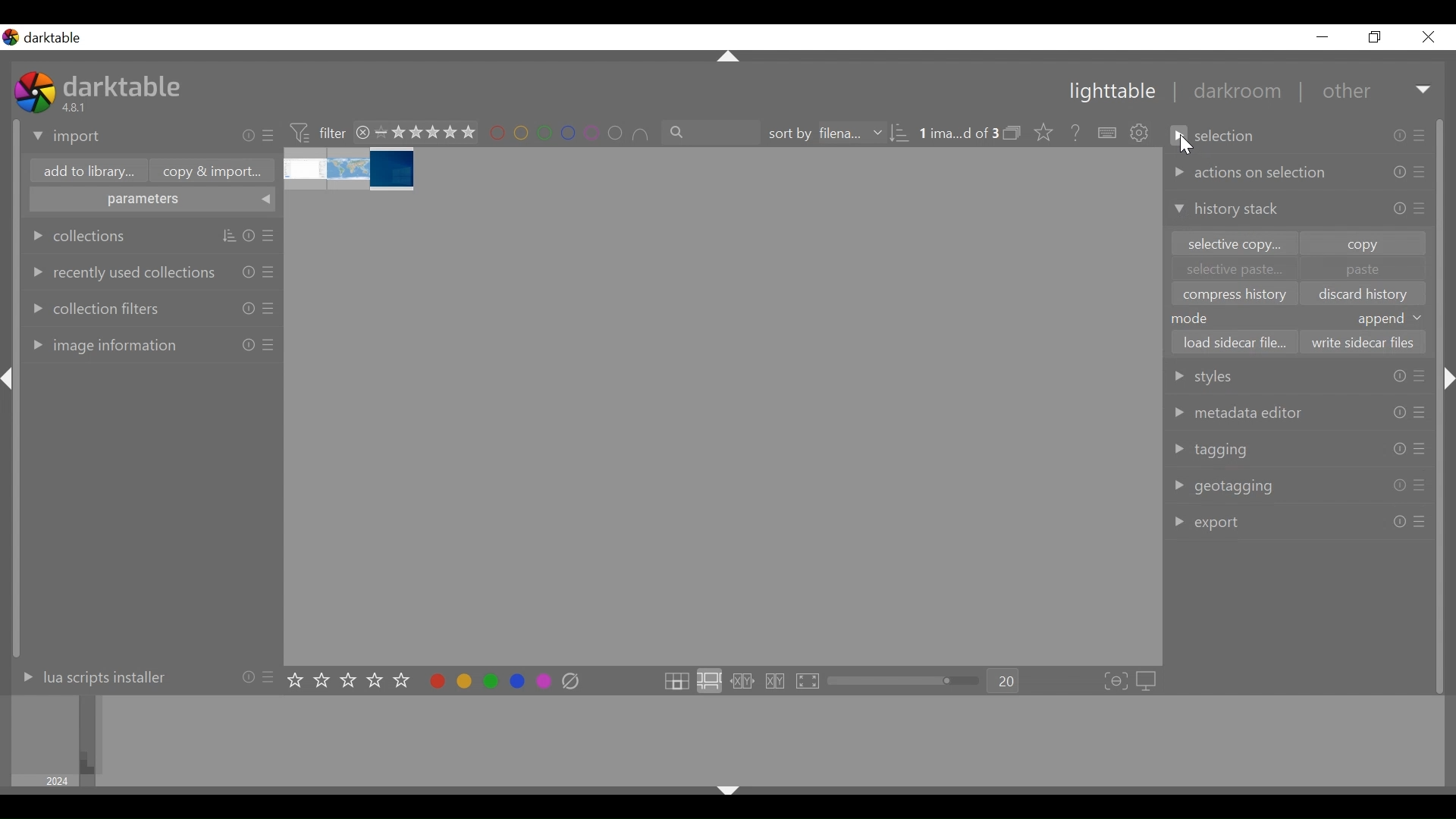 The image size is (1456, 819). What do you see at coordinates (1420, 522) in the screenshot?
I see `presets` at bounding box center [1420, 522].